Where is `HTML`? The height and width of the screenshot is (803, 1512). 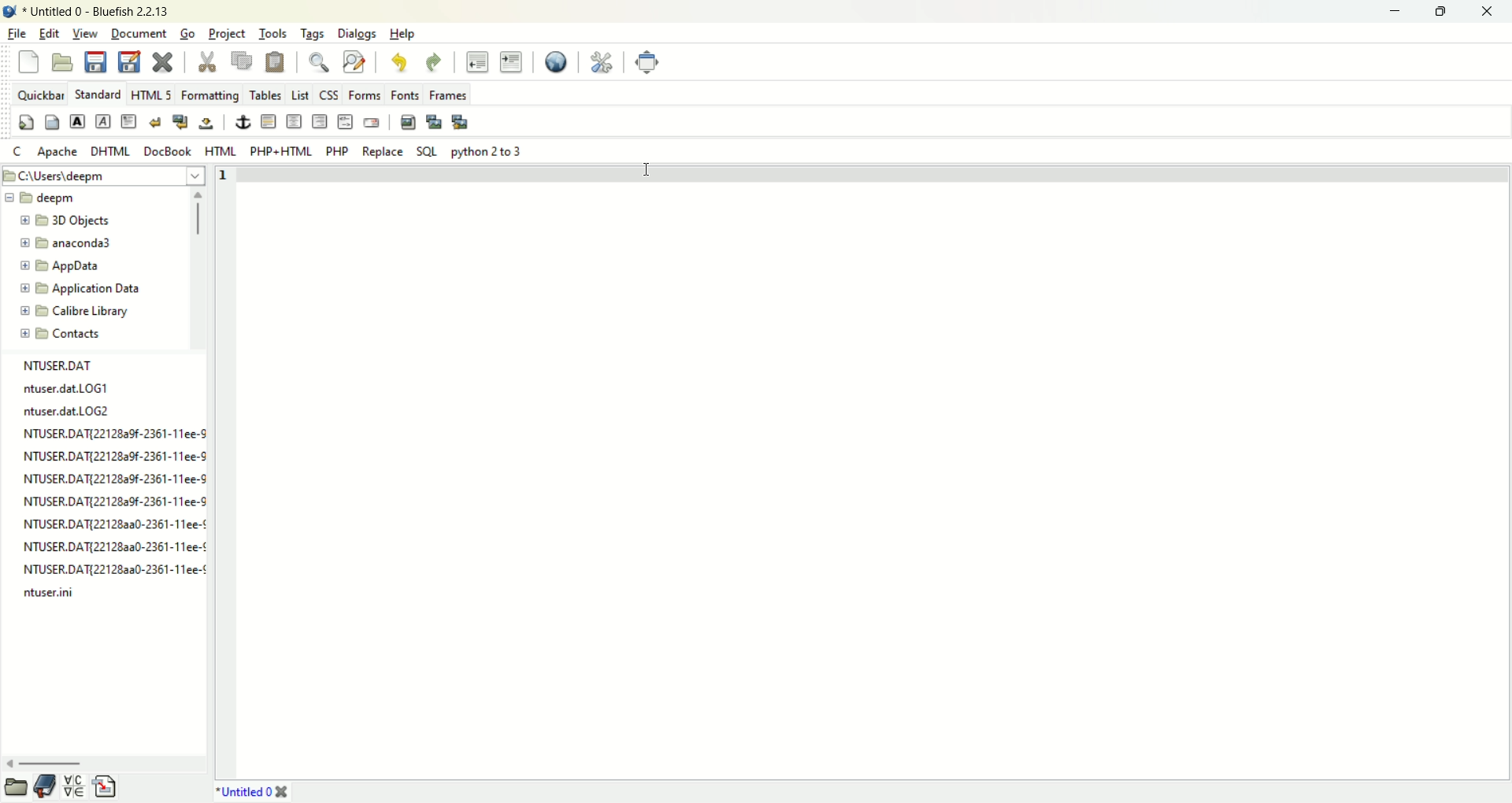
HTML is located at coordinates (151, 94).